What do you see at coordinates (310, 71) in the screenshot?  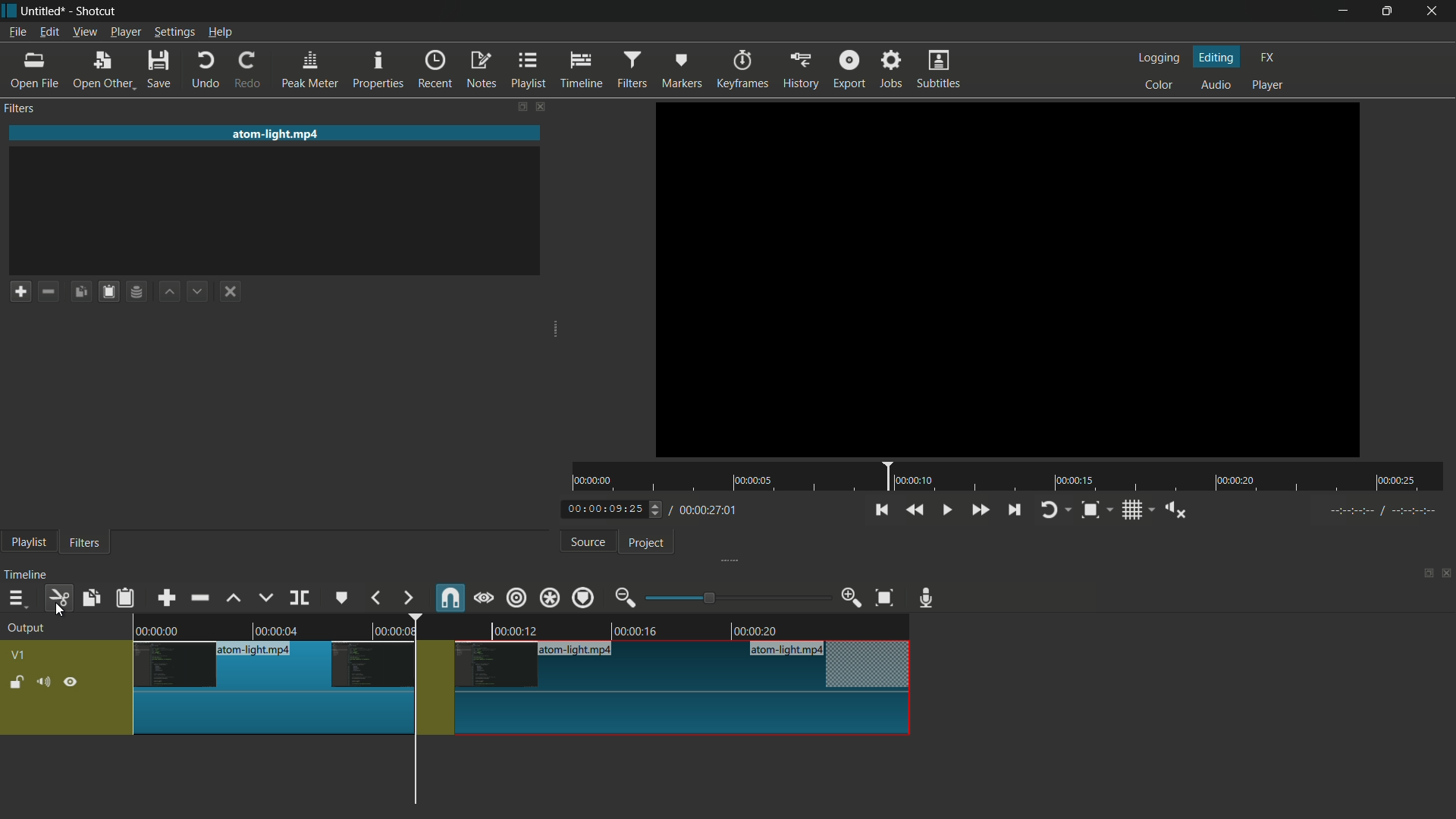 I see `peak meter` at bounding box center [310, 71].